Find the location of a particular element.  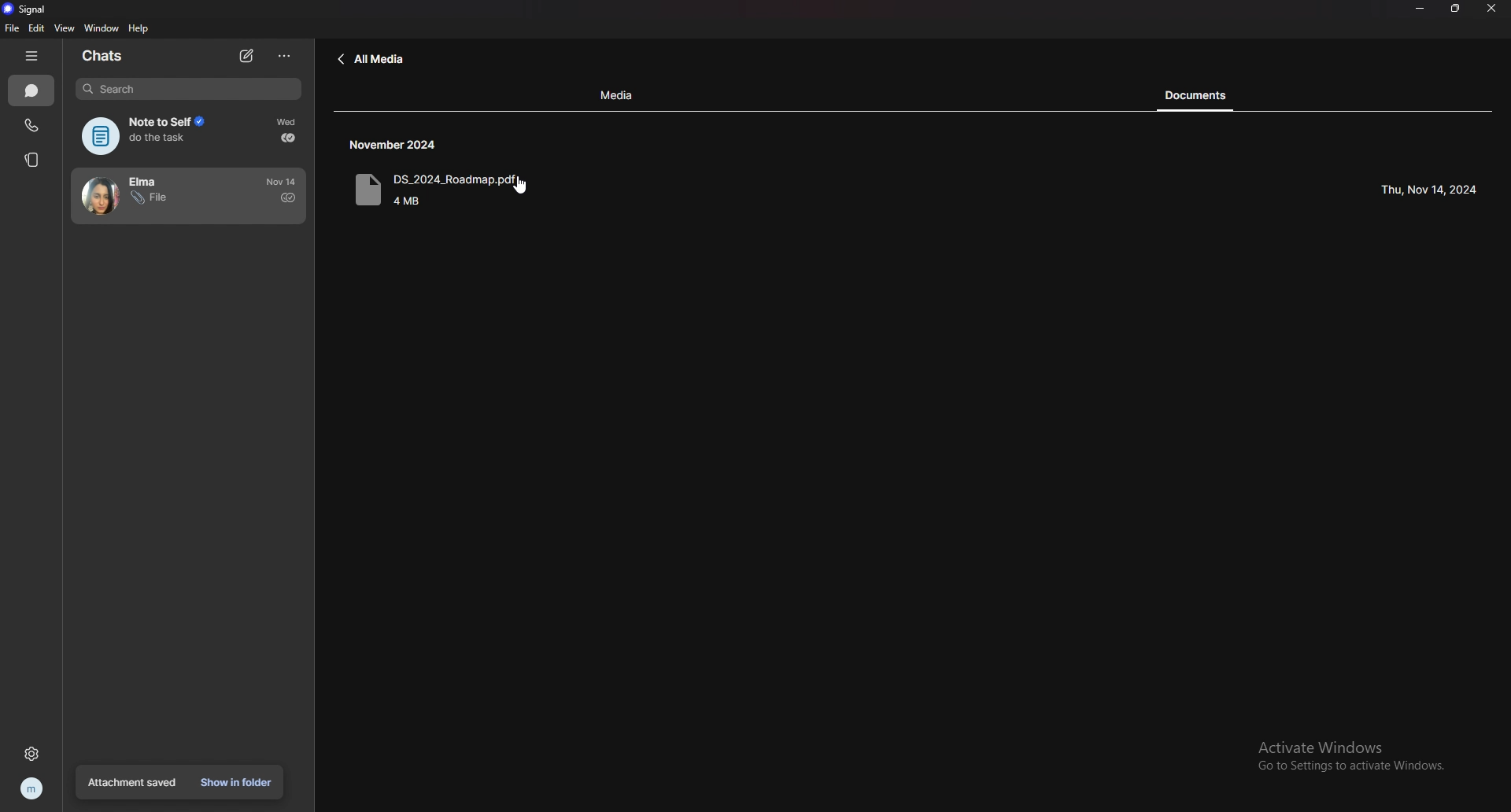

view is located at coordinates (65, 28).